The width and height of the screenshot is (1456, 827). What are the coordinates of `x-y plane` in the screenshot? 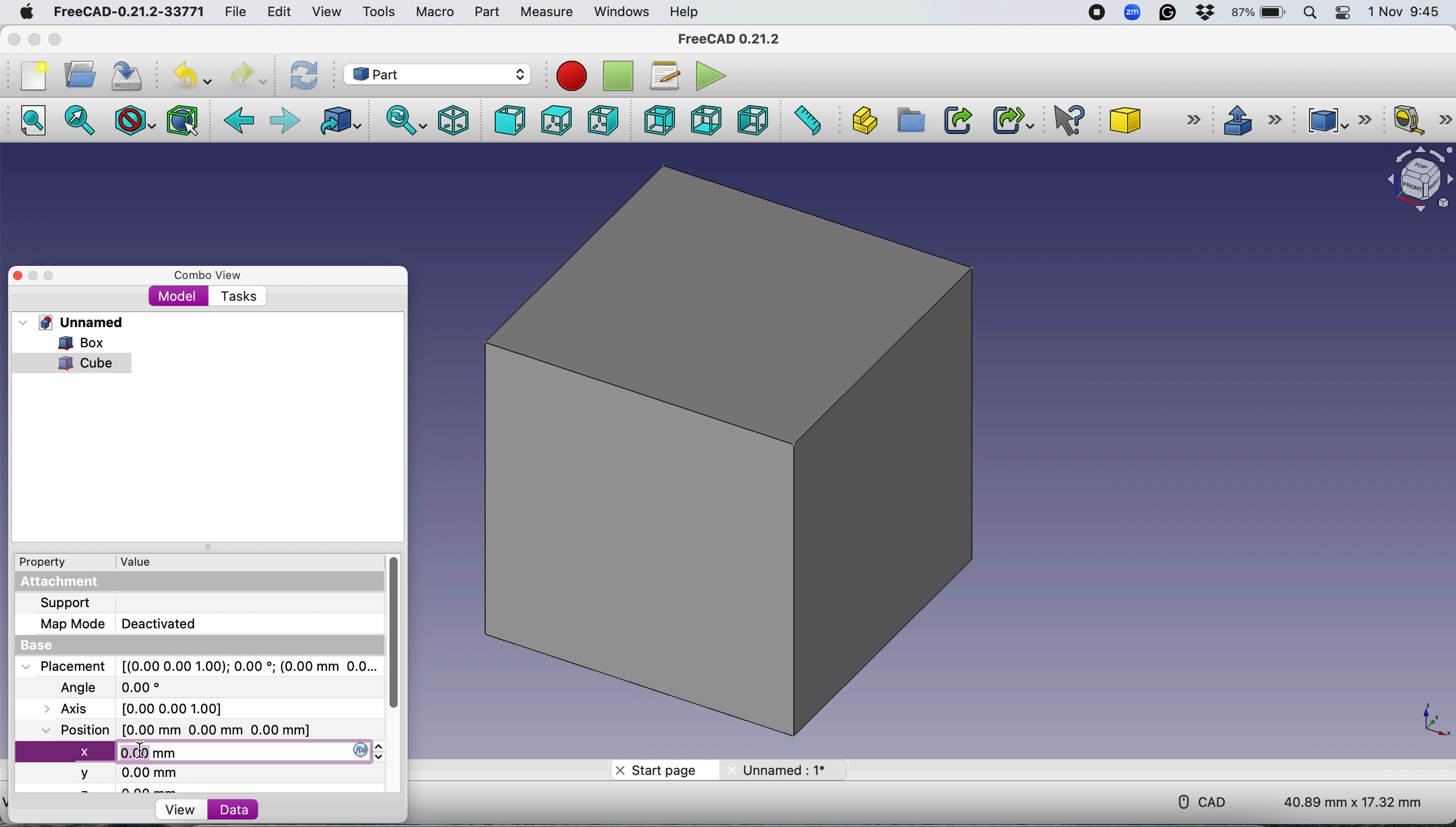 It's located at (1433, 719).